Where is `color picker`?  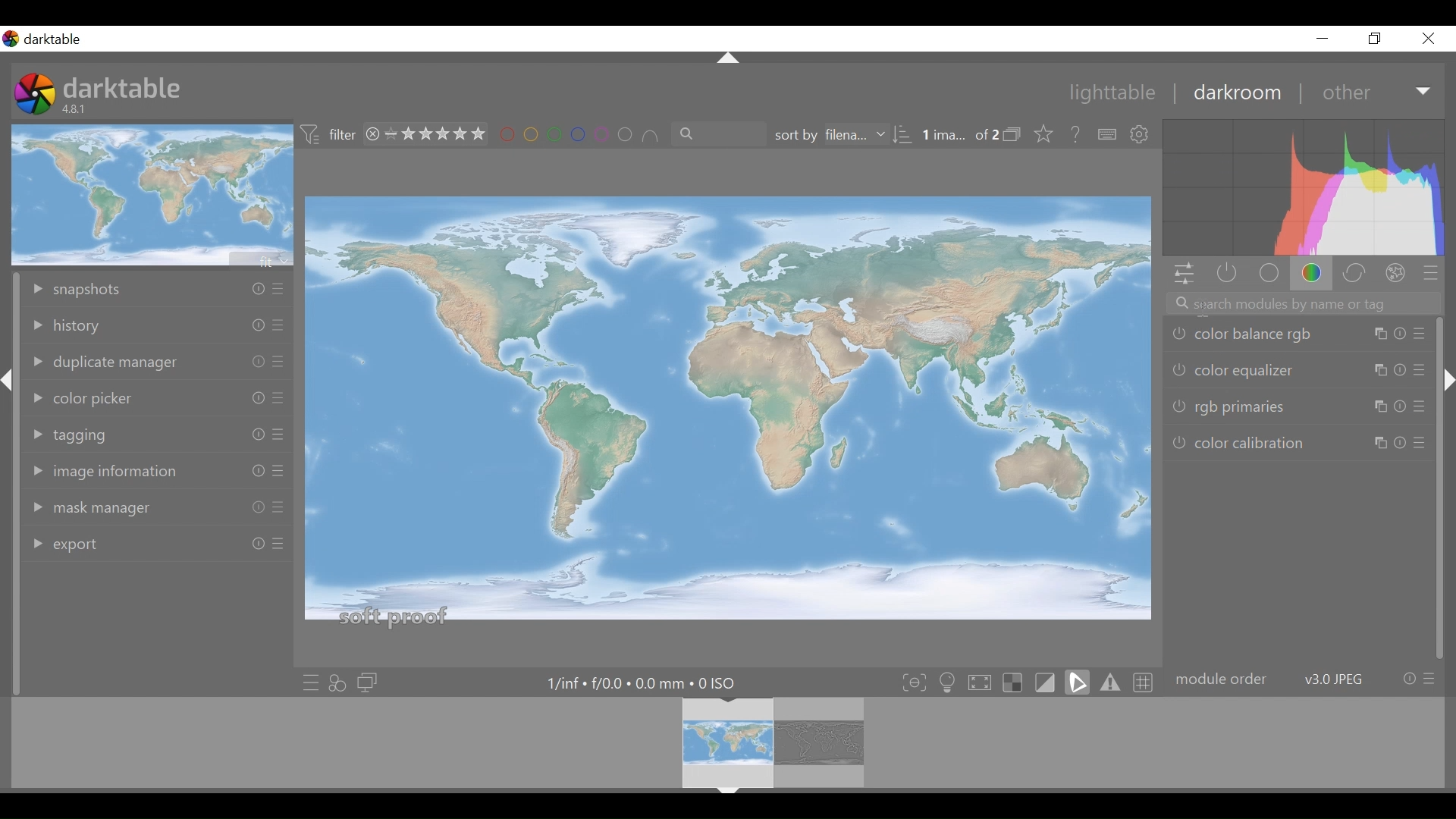 color picker is located at coordinates (156, 395).